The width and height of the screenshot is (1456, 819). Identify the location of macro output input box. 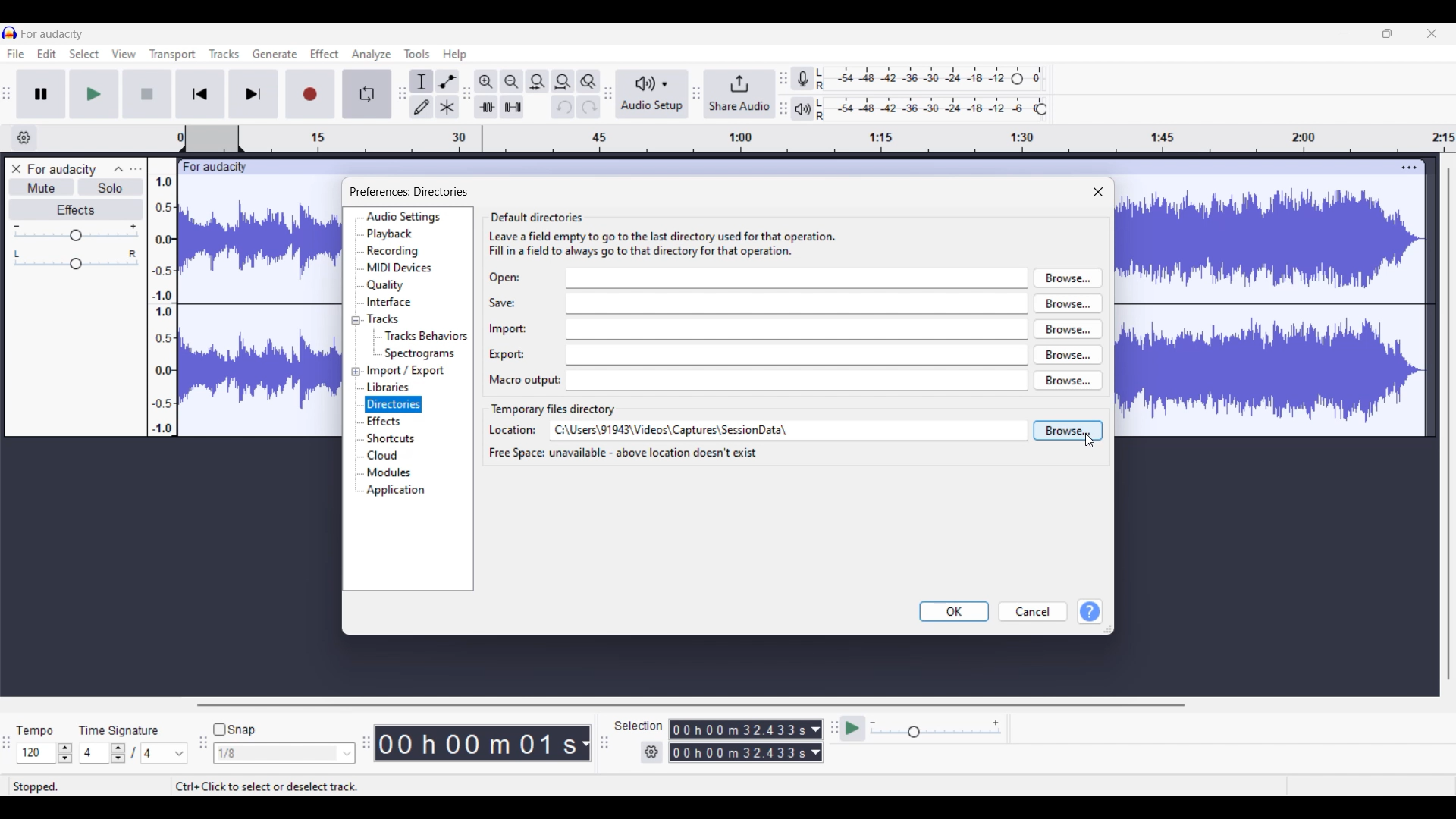
(796, 381).